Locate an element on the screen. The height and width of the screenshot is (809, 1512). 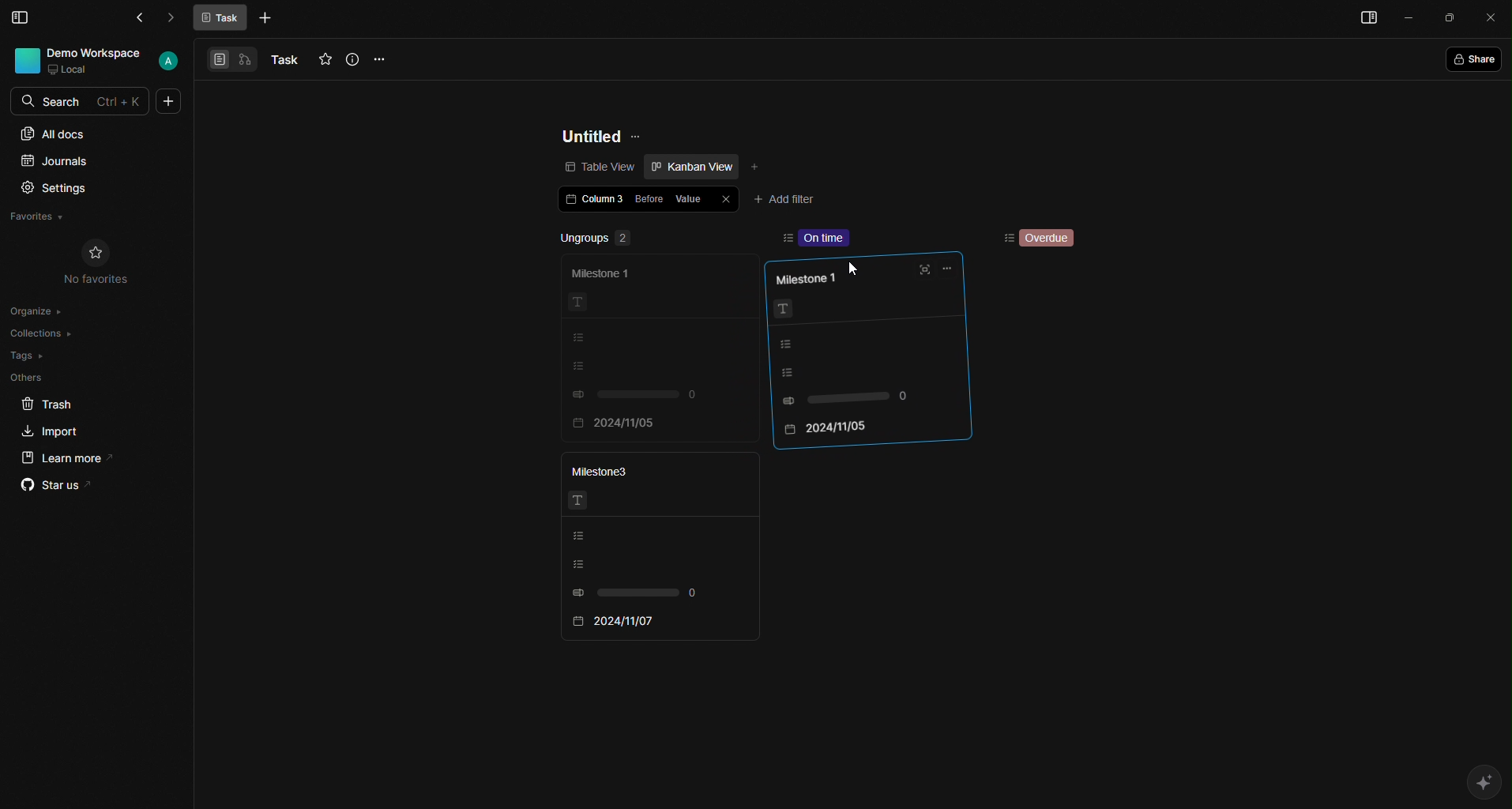
Listing is located at coordinates (616, 536).